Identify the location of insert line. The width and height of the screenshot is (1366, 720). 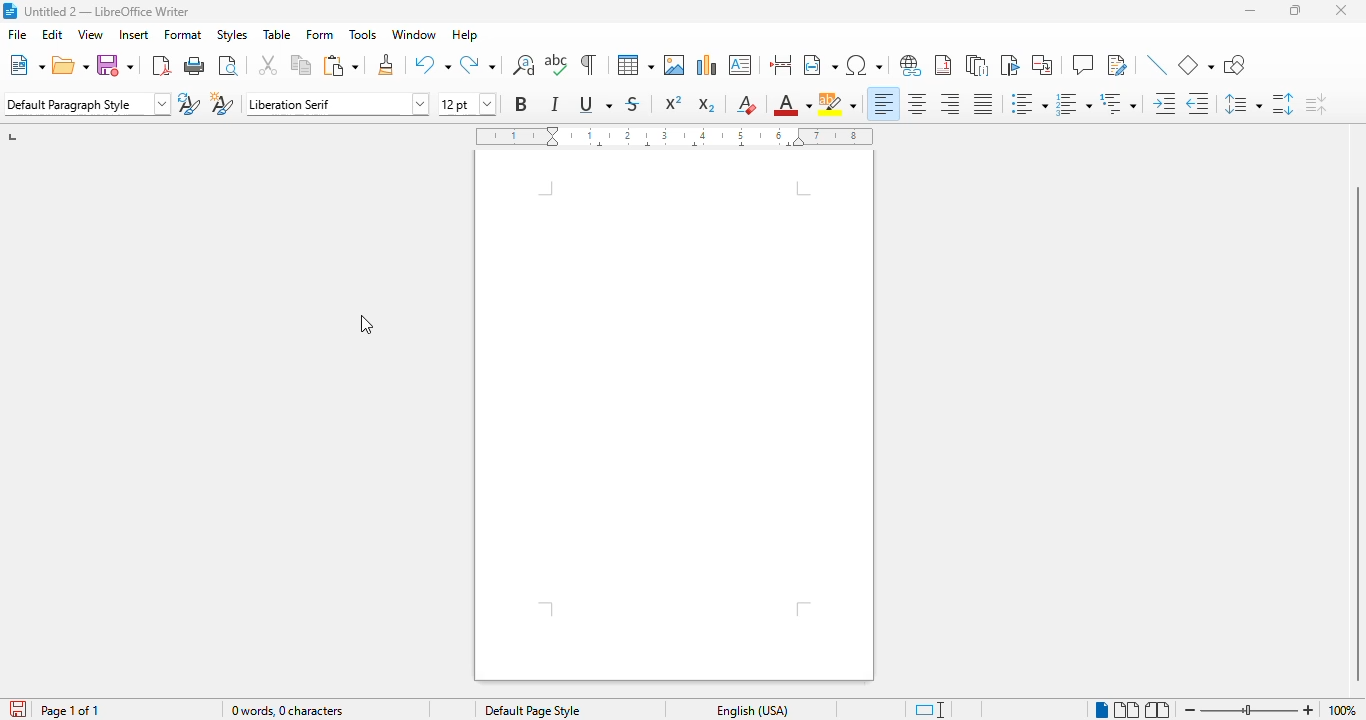
(1156, 64).